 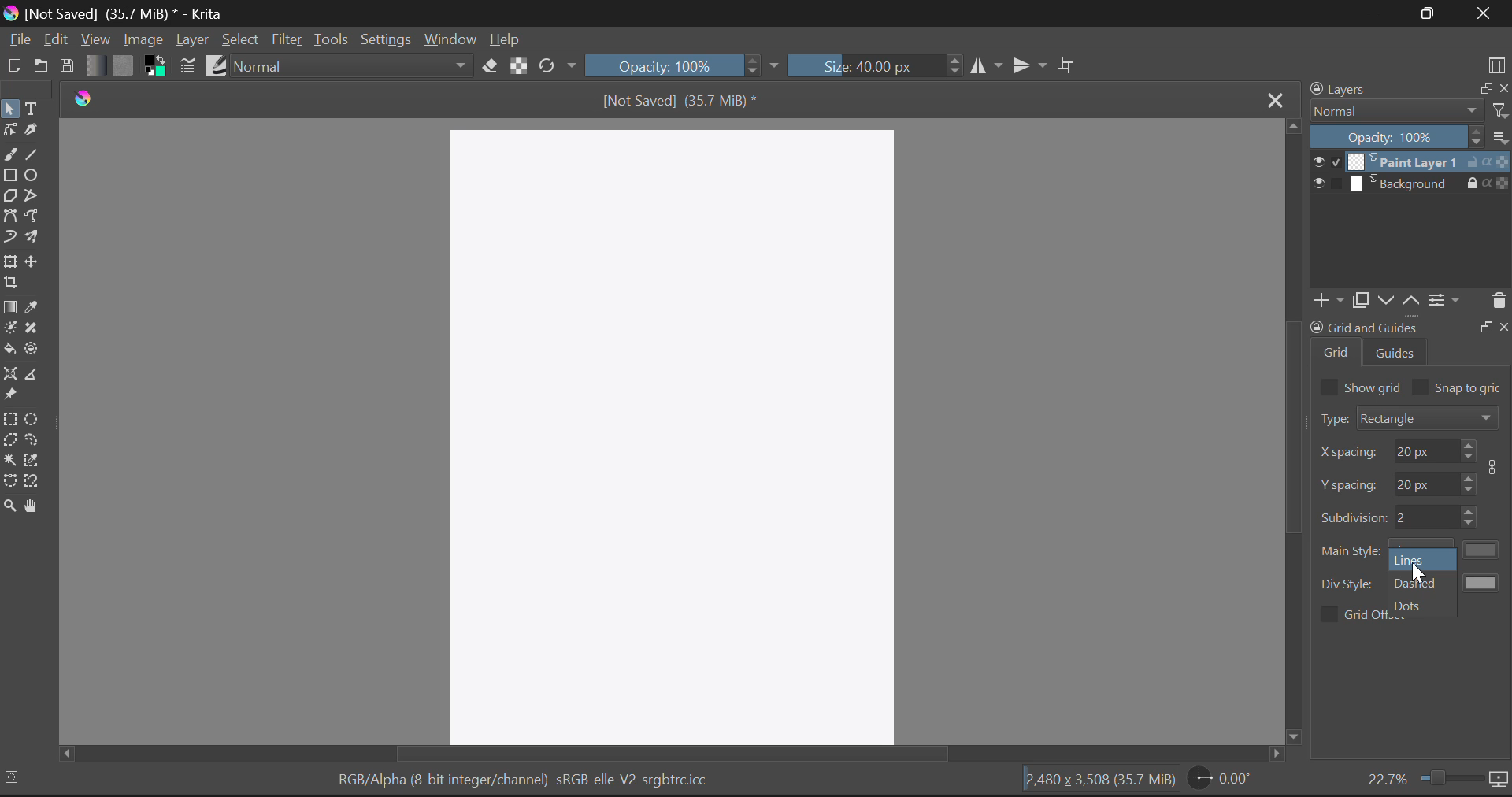 I want to click on main style, so click(x=1351, y=551).